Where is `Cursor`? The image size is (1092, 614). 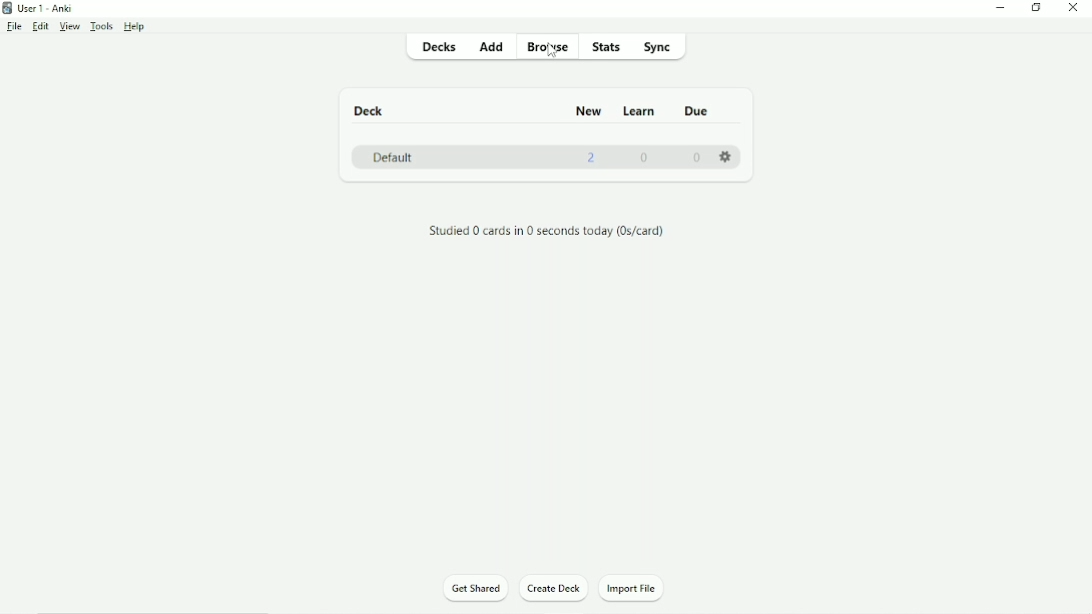
Cursor is located at coordinates (552, 56).